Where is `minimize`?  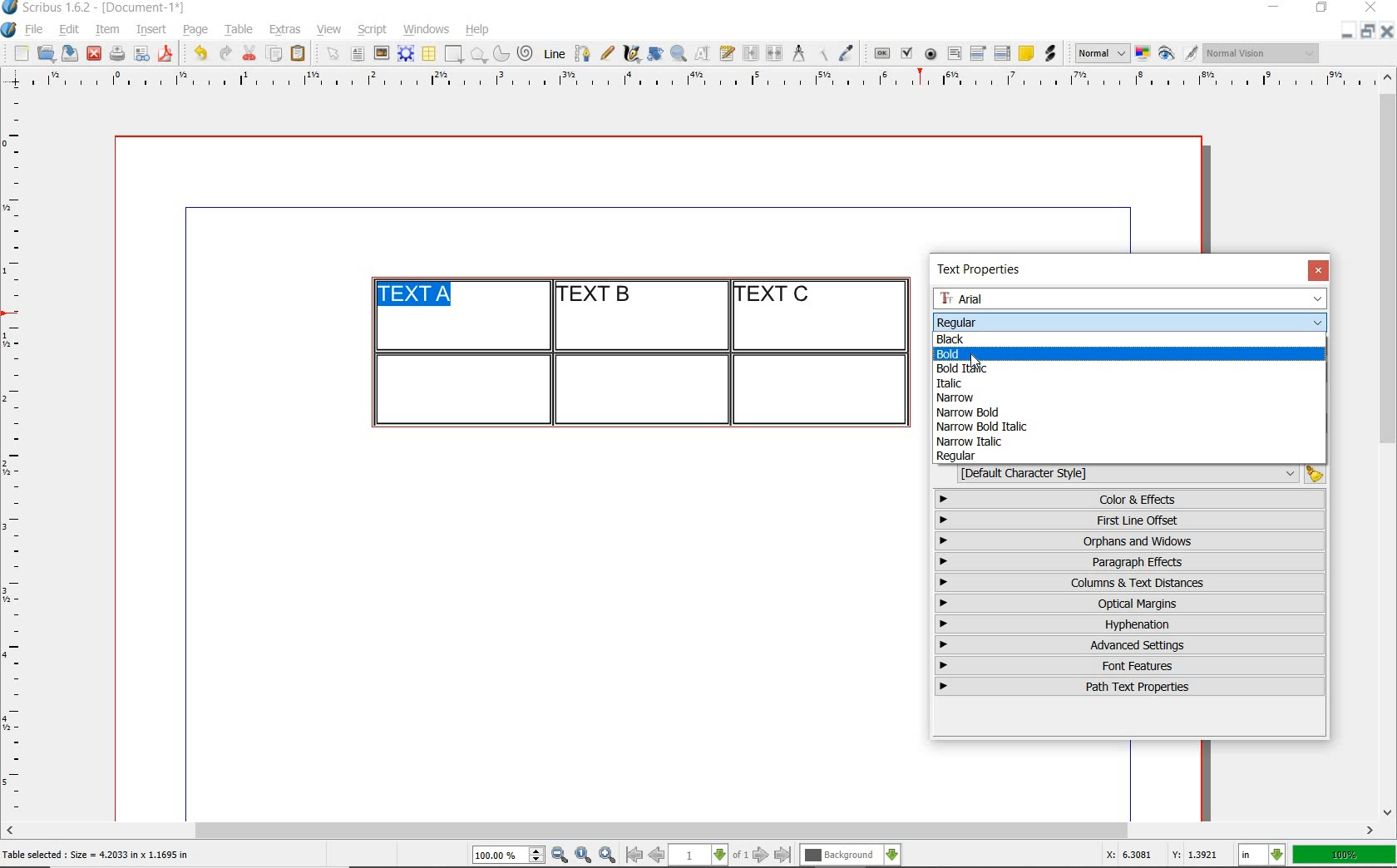 minimize is located at coordinates (1276, 8).